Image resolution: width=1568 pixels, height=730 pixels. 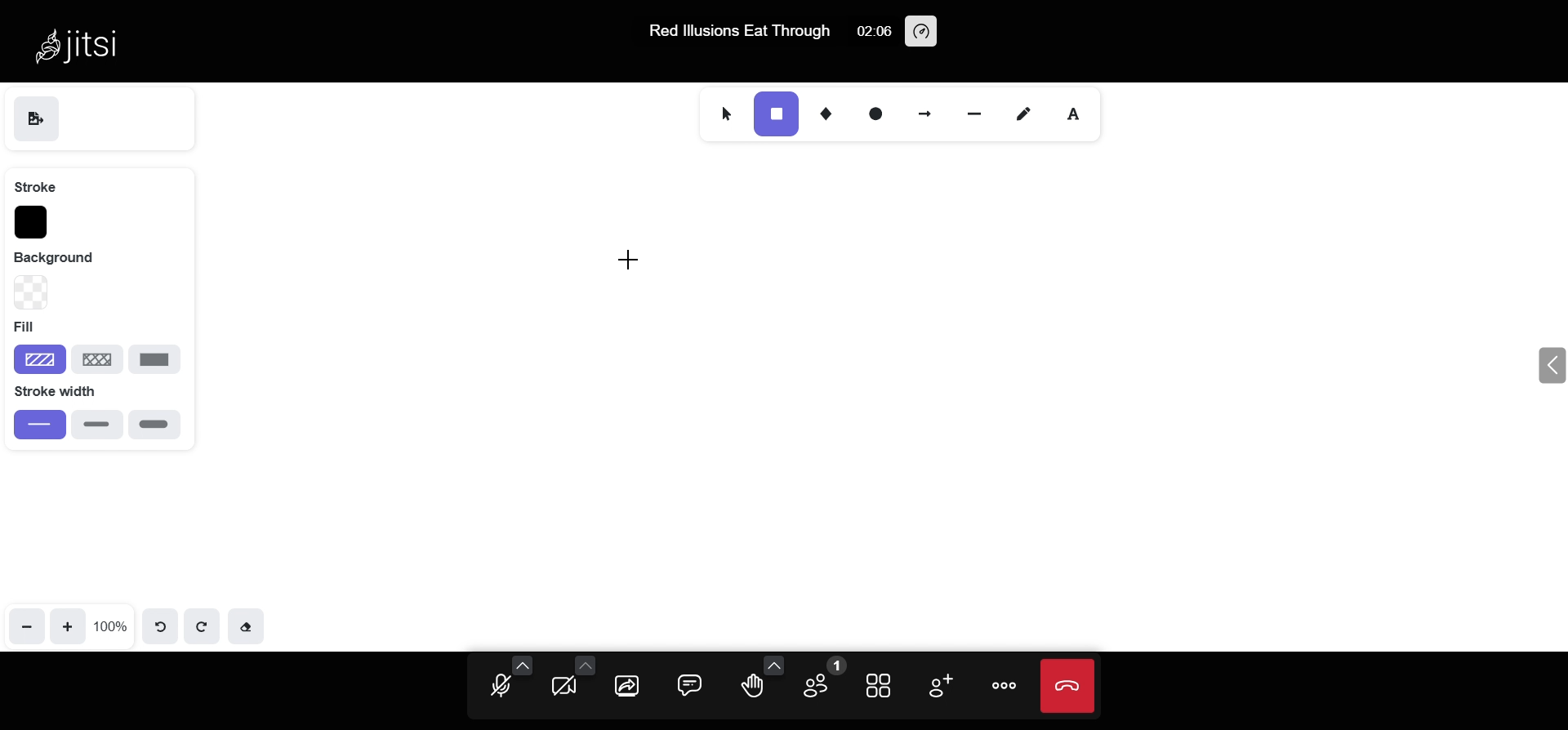 I want to click on background type, so click(x=29, y=292).